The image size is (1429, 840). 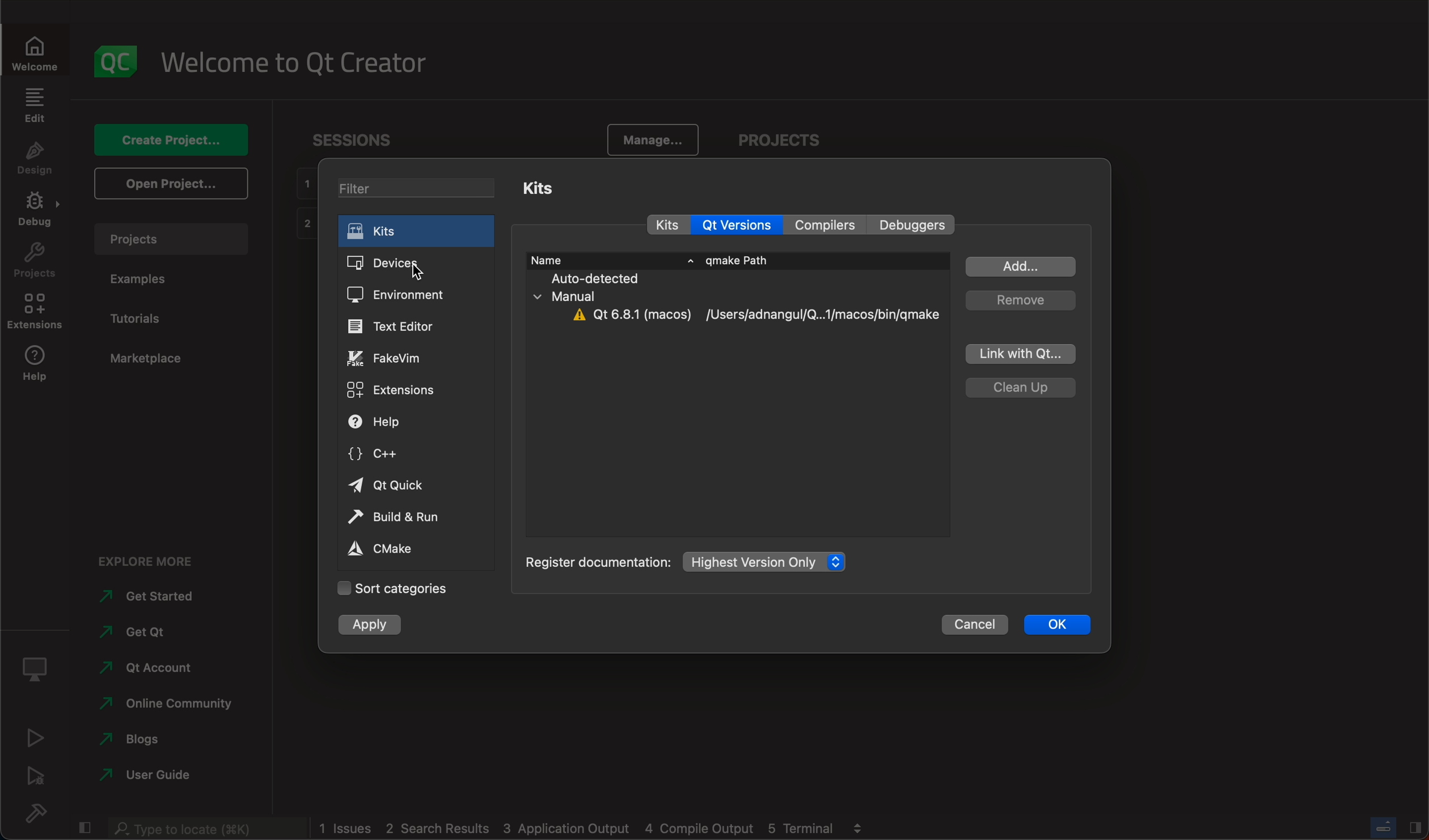 What do you see at coordinates (35, 673) in the screenshot?
I see `kit selector` at bounding box center [35, 673].